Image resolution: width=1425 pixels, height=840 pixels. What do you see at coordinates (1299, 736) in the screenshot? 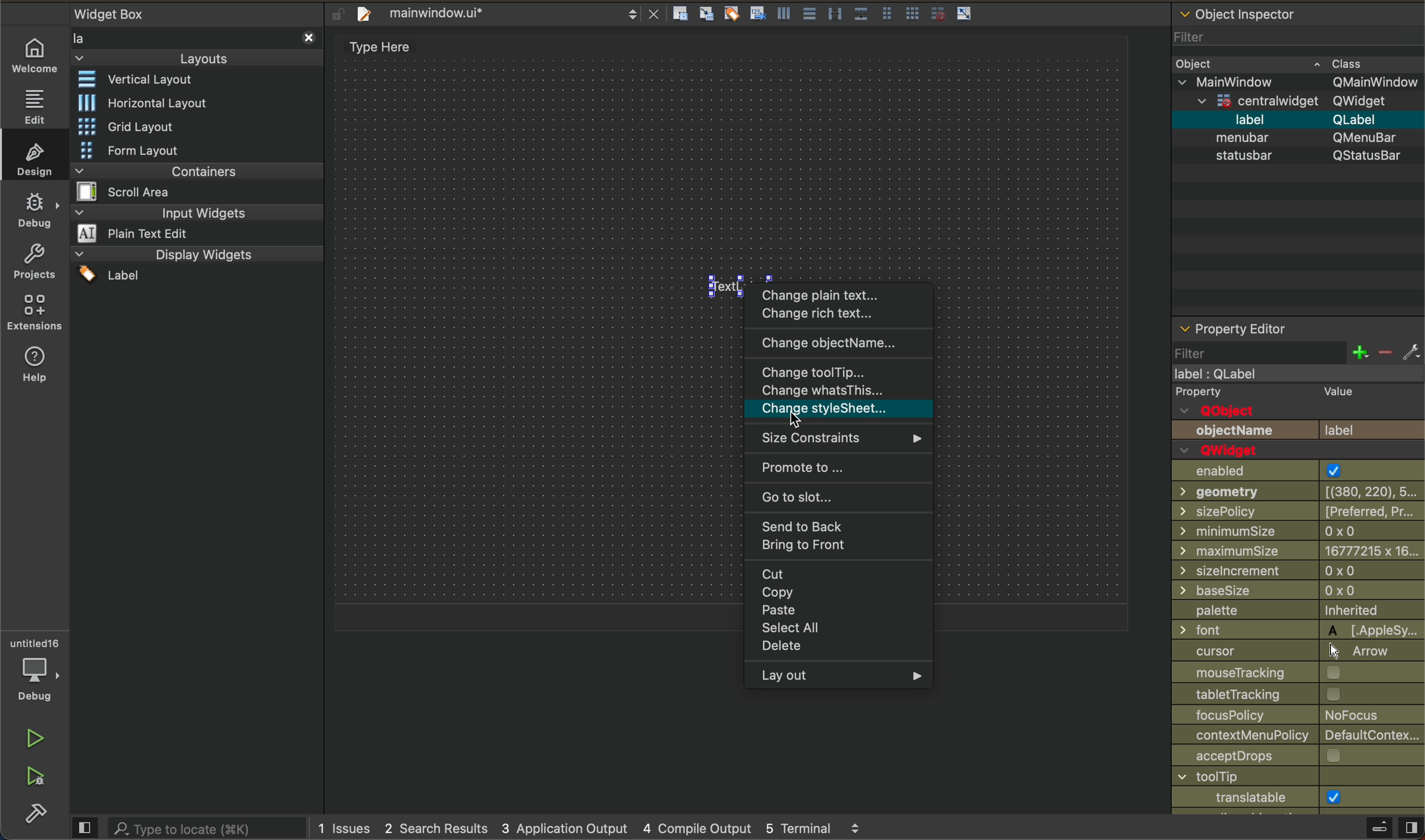
I see `contextMenuPlicy` at bounding box center [1299, 736].